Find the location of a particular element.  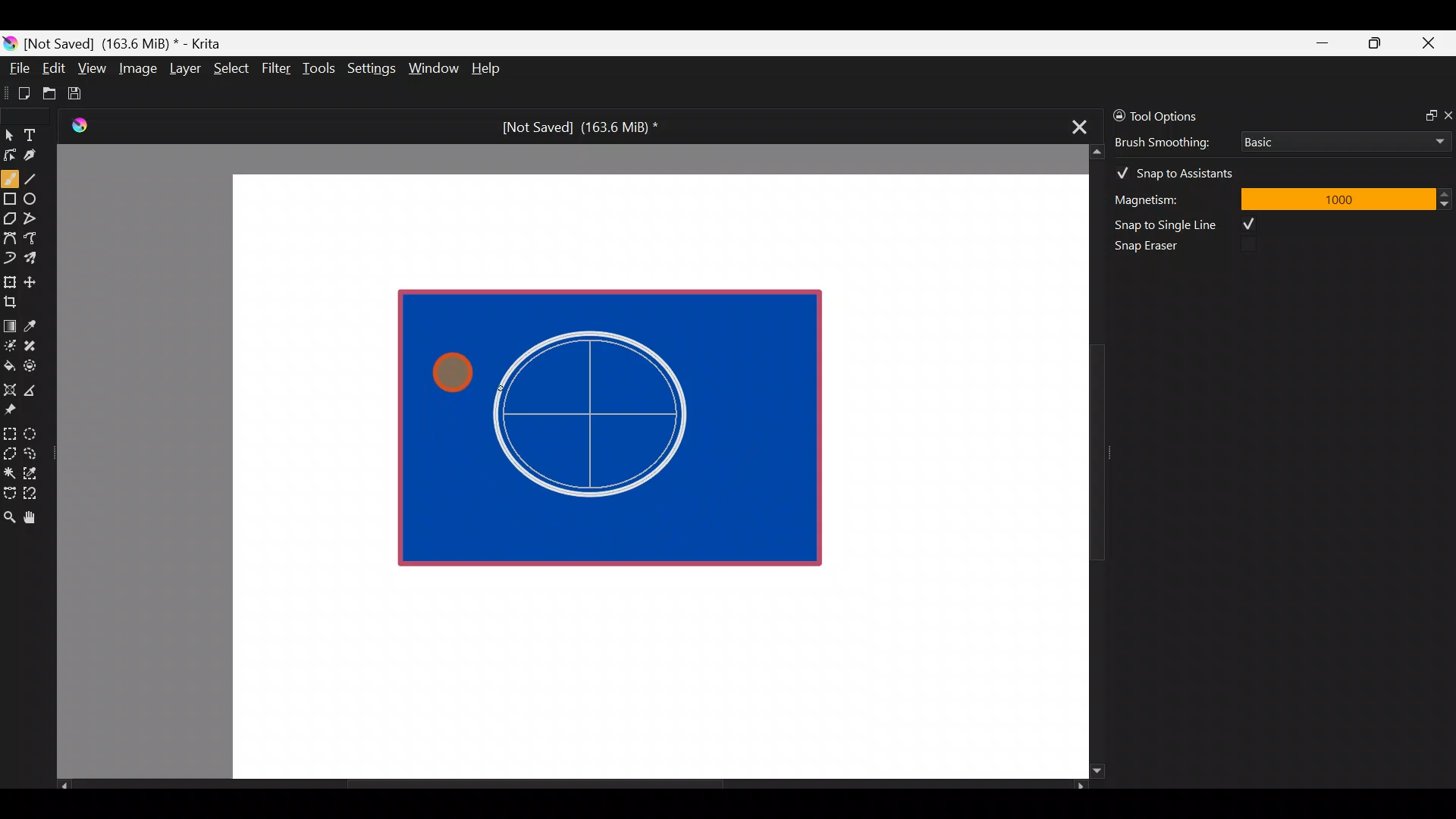

Float docker is located at coordinates (1424, 114).